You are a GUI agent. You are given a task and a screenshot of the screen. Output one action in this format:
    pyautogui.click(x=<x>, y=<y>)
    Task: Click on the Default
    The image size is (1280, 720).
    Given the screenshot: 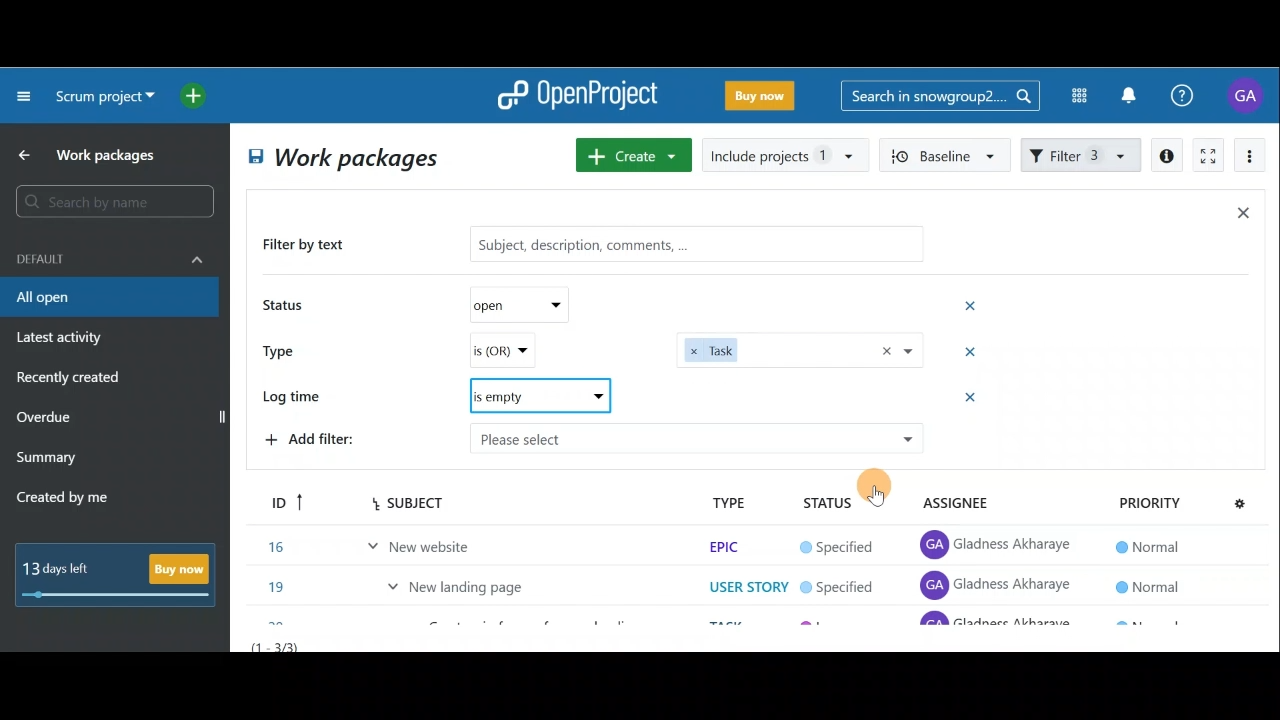 What is the action you would take?
    pyautogui.click(x=110, y=257)
    